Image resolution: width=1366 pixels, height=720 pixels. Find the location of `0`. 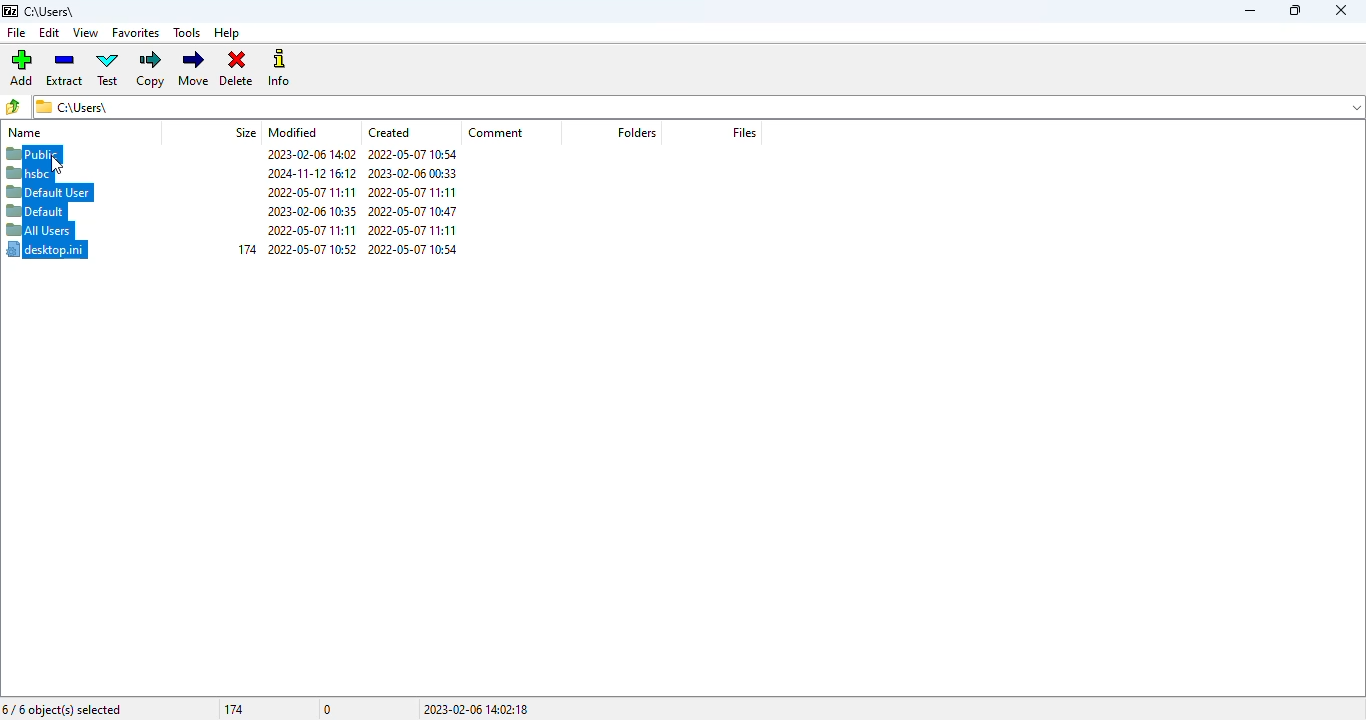

0 is located at coordinates (331, 709).